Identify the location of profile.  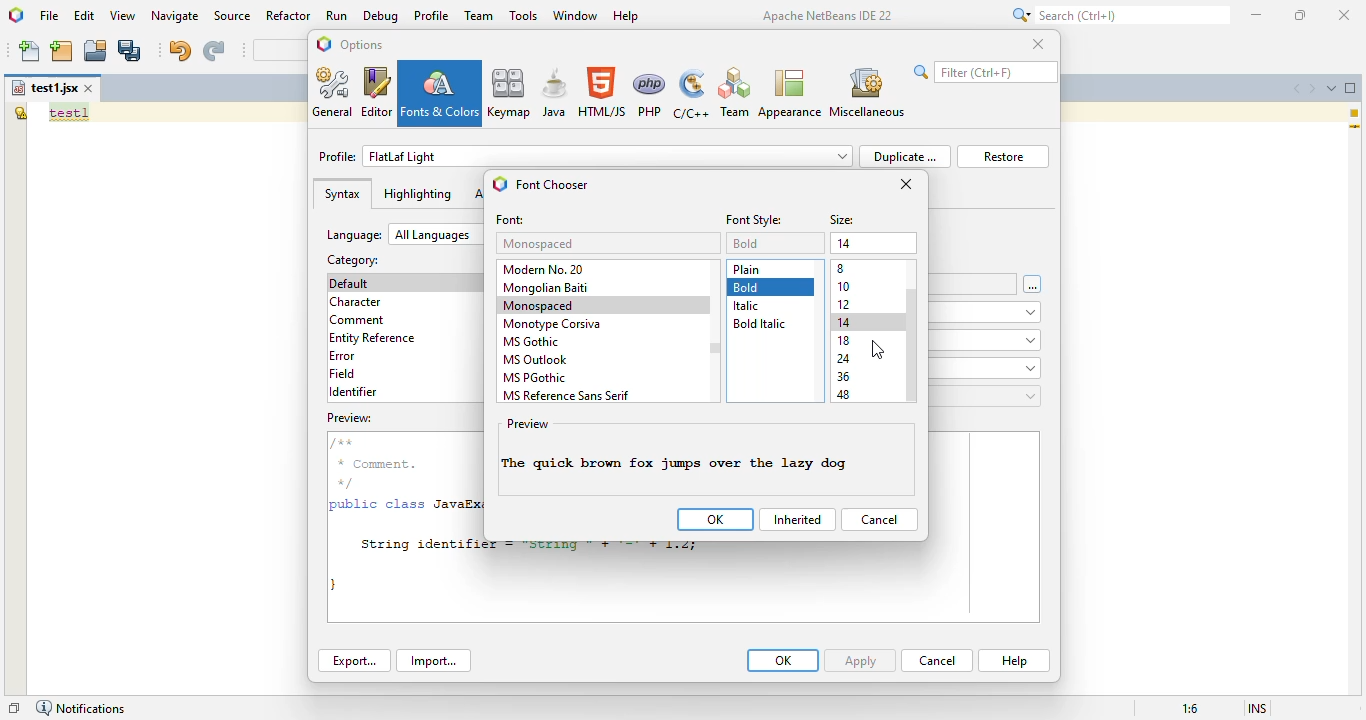
(586, 156).